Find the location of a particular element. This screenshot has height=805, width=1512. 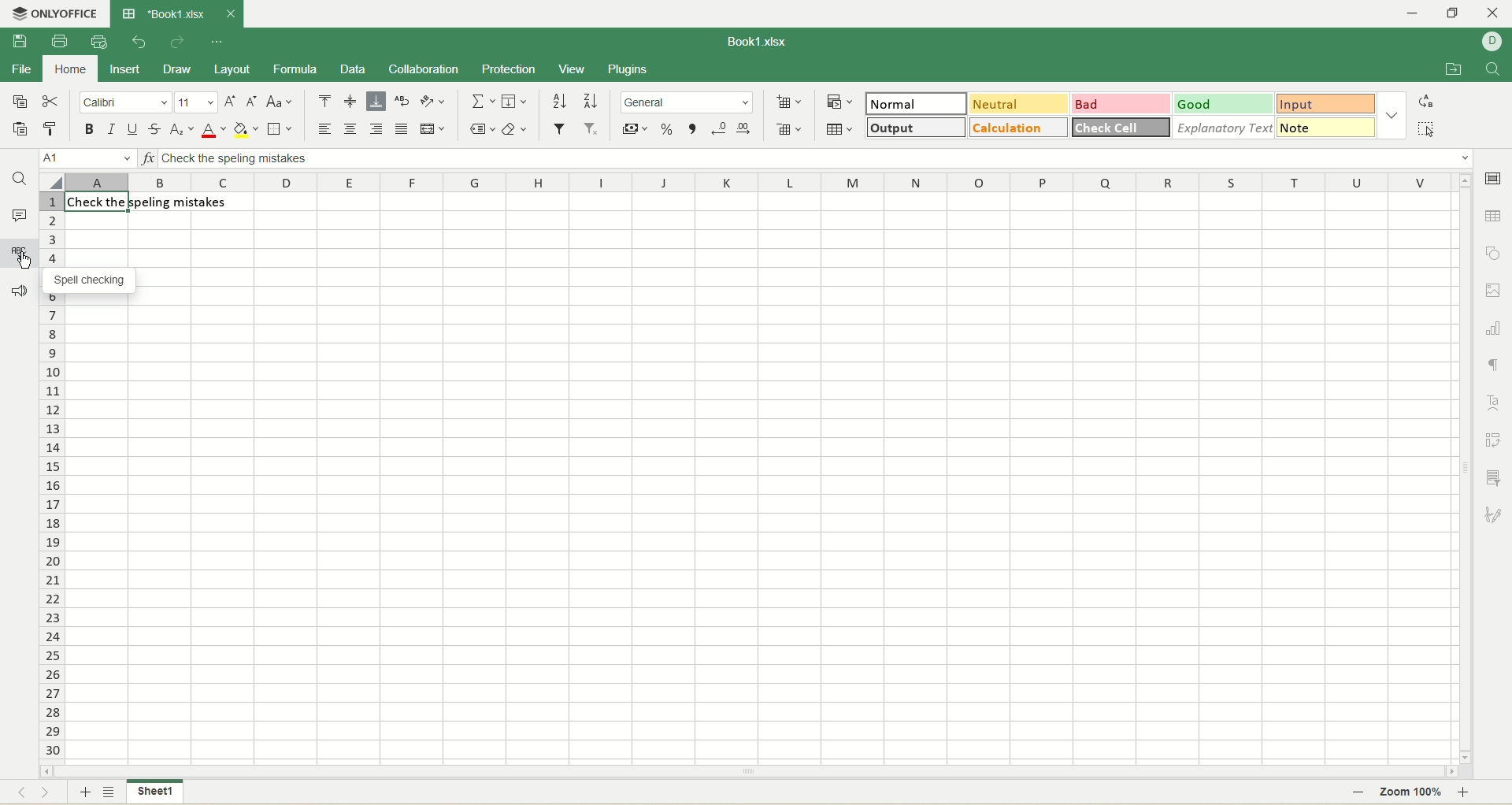

check cell is located at coordinates (1121, 128).